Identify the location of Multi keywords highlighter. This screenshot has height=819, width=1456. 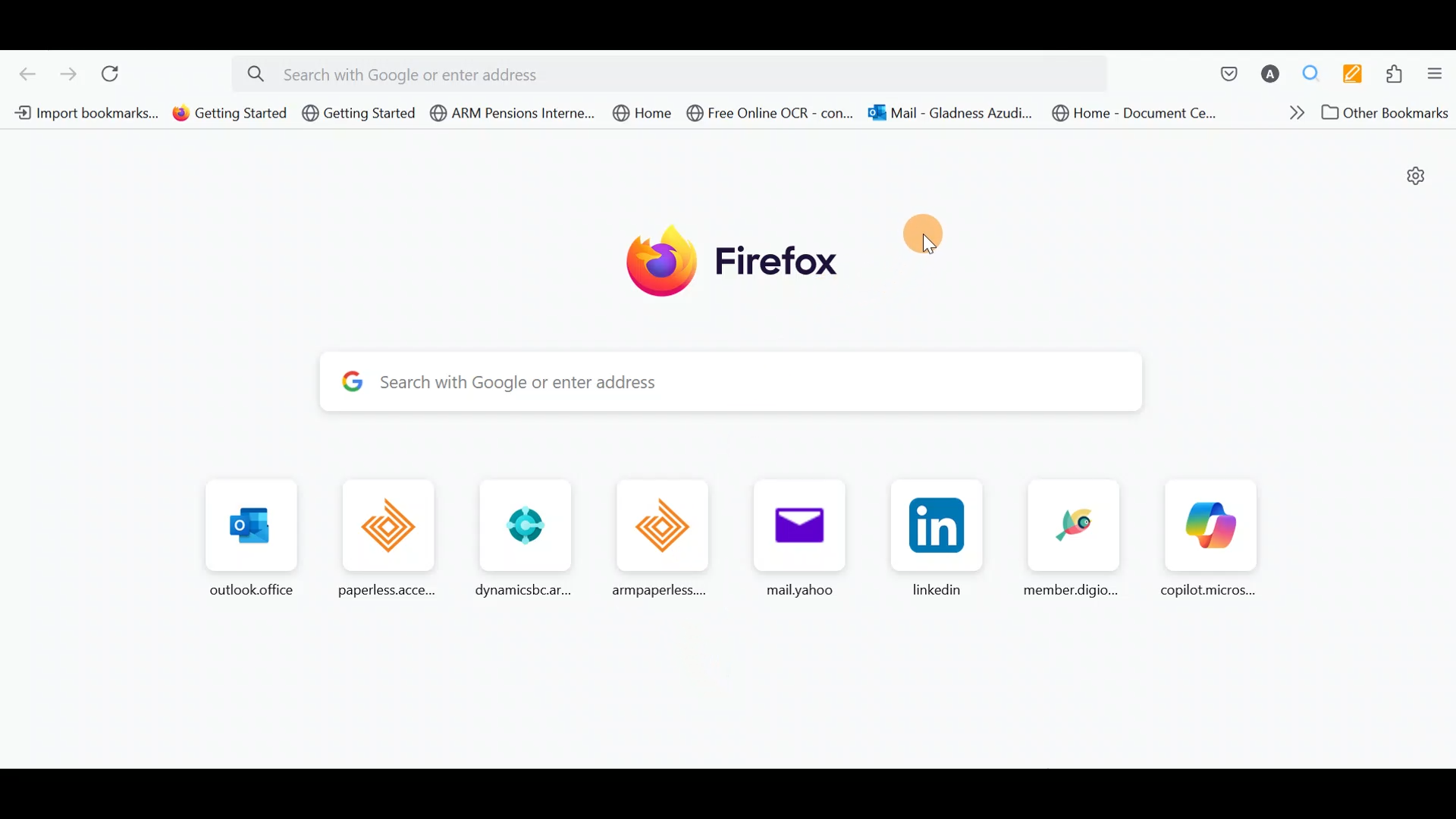
(1357, 74).